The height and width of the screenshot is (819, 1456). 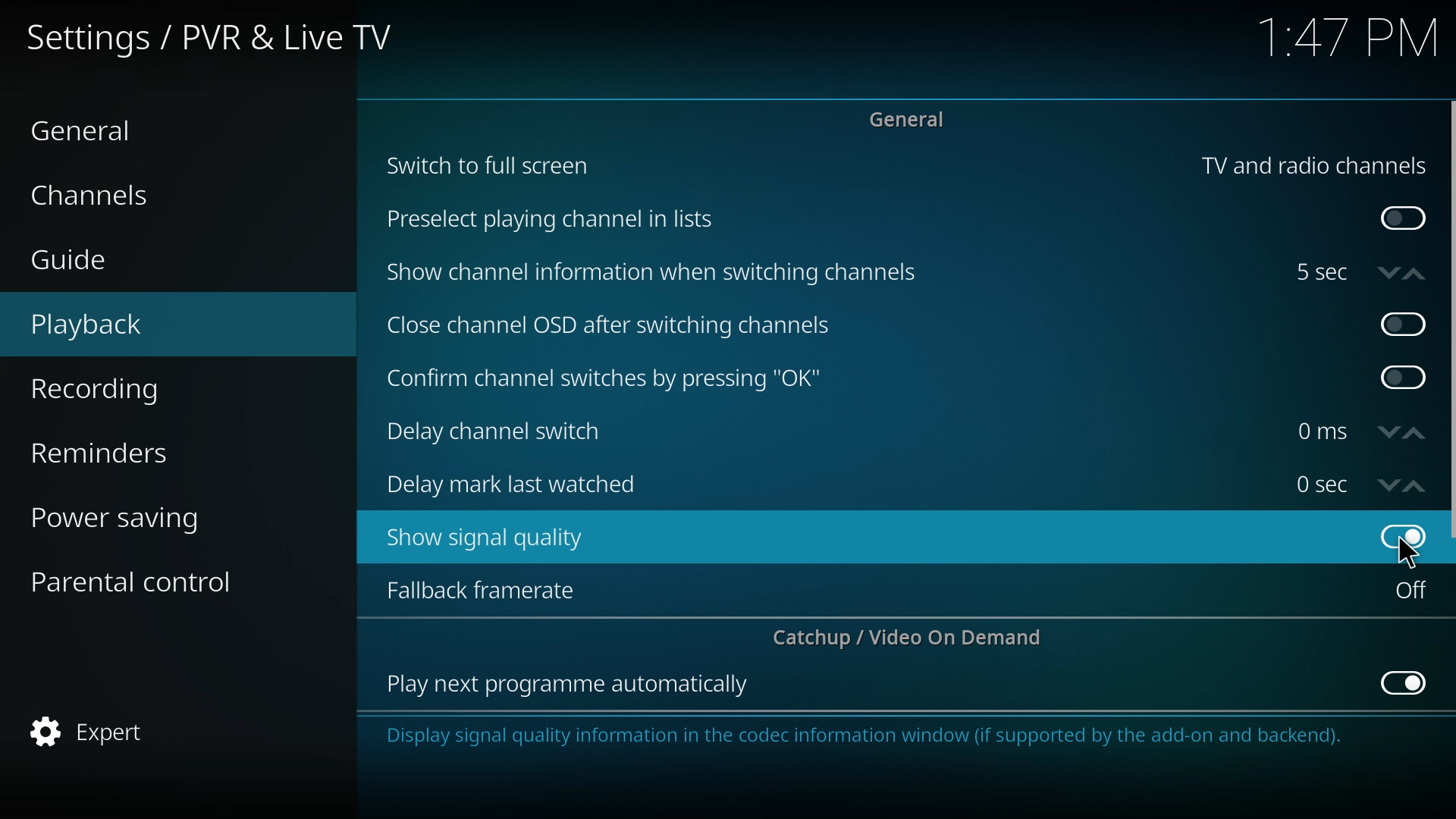 I want to click on expert, so click(x=136, y=733).